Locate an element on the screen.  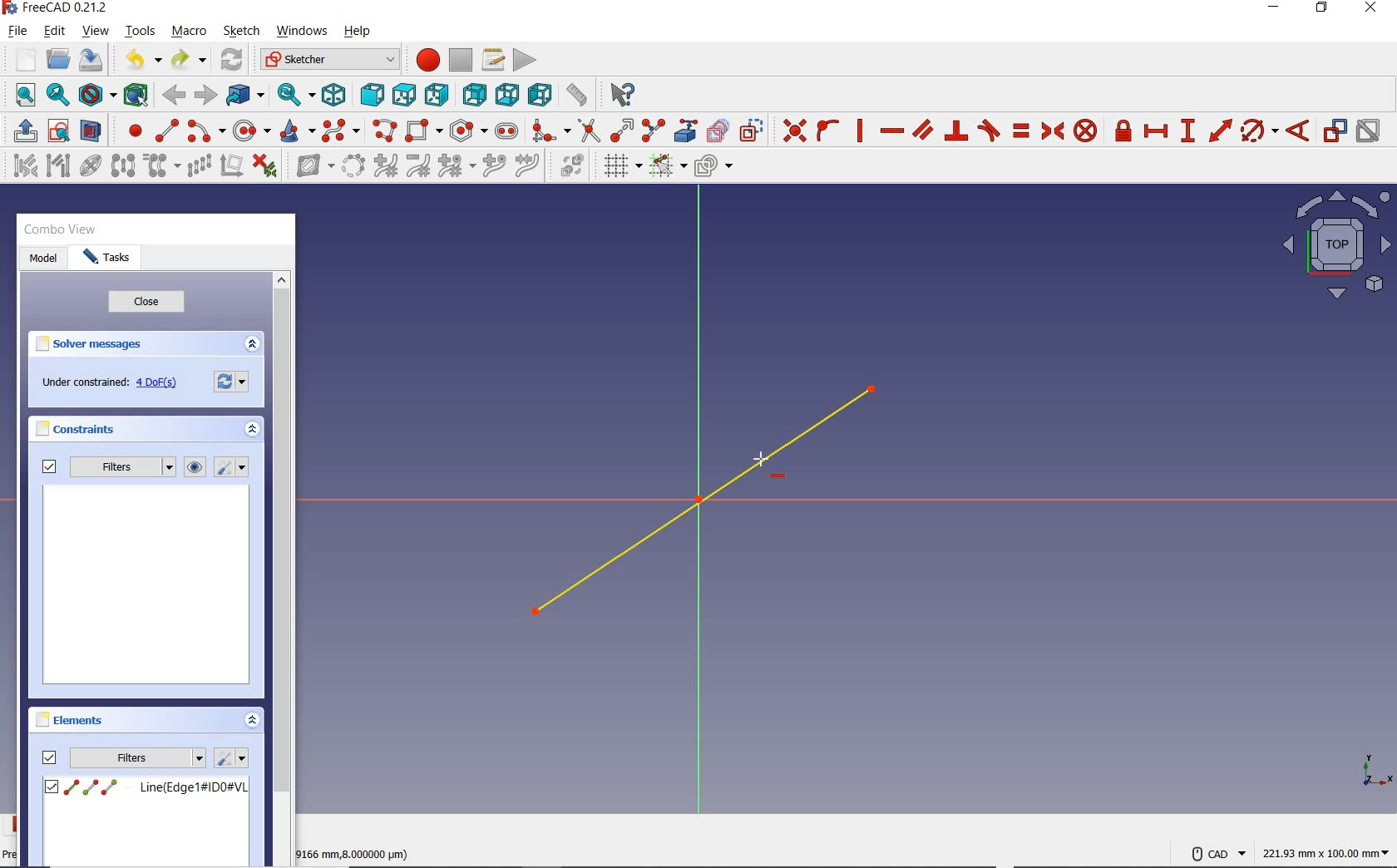
TOGGLE CONSTRUCTION GEOMETRY is located at coordinates (754, 131).